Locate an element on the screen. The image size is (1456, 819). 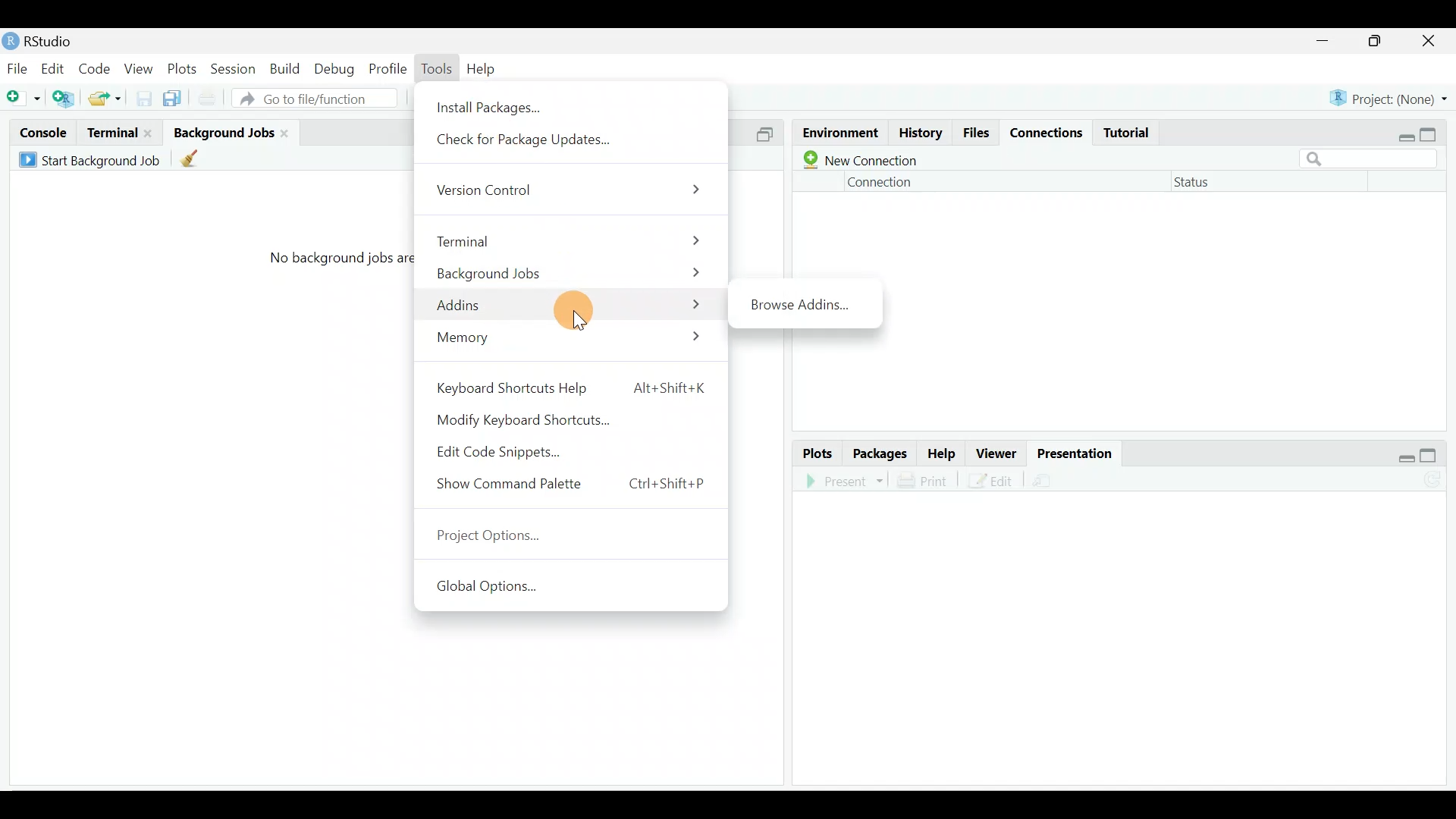
maximize is located at coordinates (1376, 42).